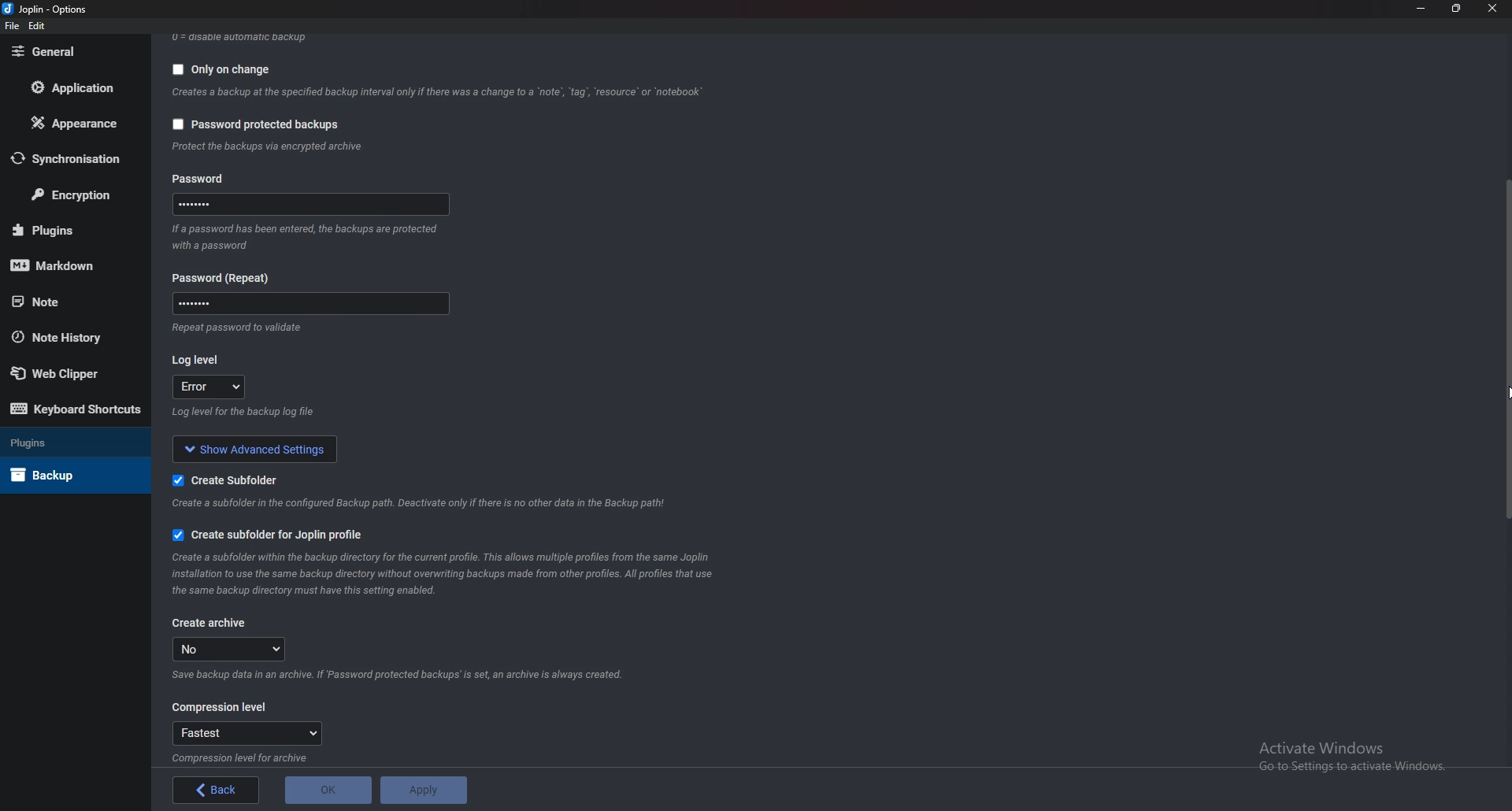  Describe the element at coordinates (209, 387) in the screenshot. I see `log level` at that location.